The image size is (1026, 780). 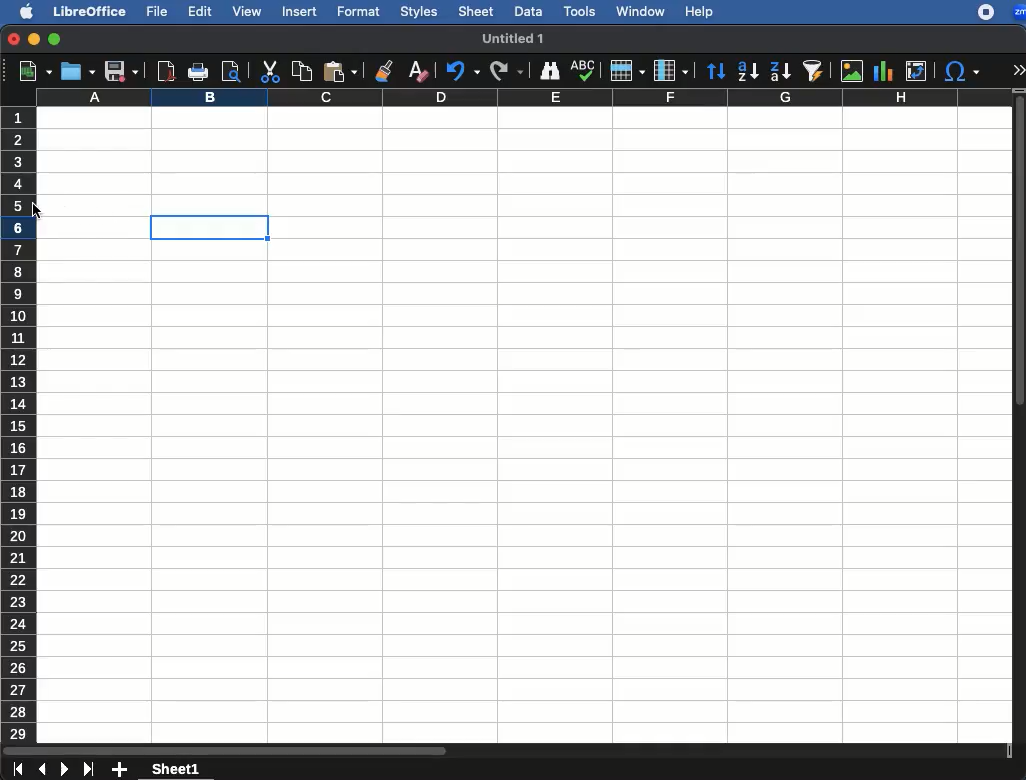 What do you see at coordinates (780, 71) in the screenshot?
I see `descending` at bounding box center [780, 71].